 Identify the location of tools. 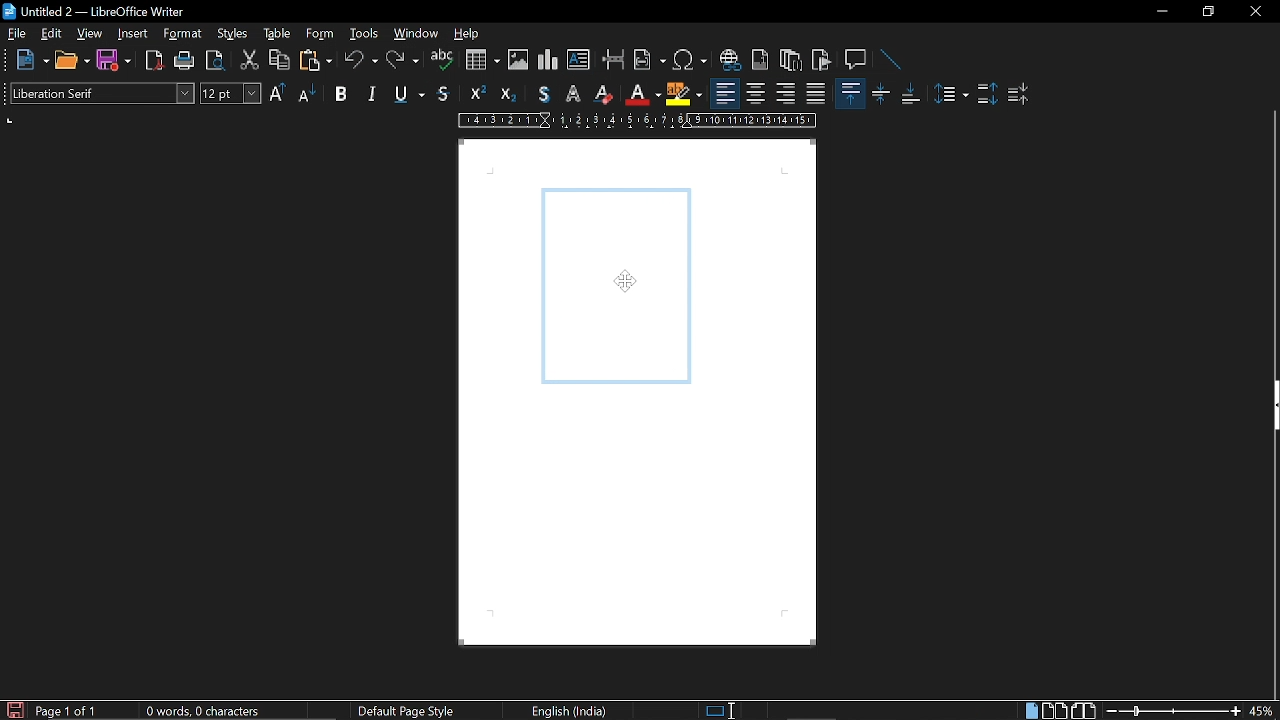
(362, 35).